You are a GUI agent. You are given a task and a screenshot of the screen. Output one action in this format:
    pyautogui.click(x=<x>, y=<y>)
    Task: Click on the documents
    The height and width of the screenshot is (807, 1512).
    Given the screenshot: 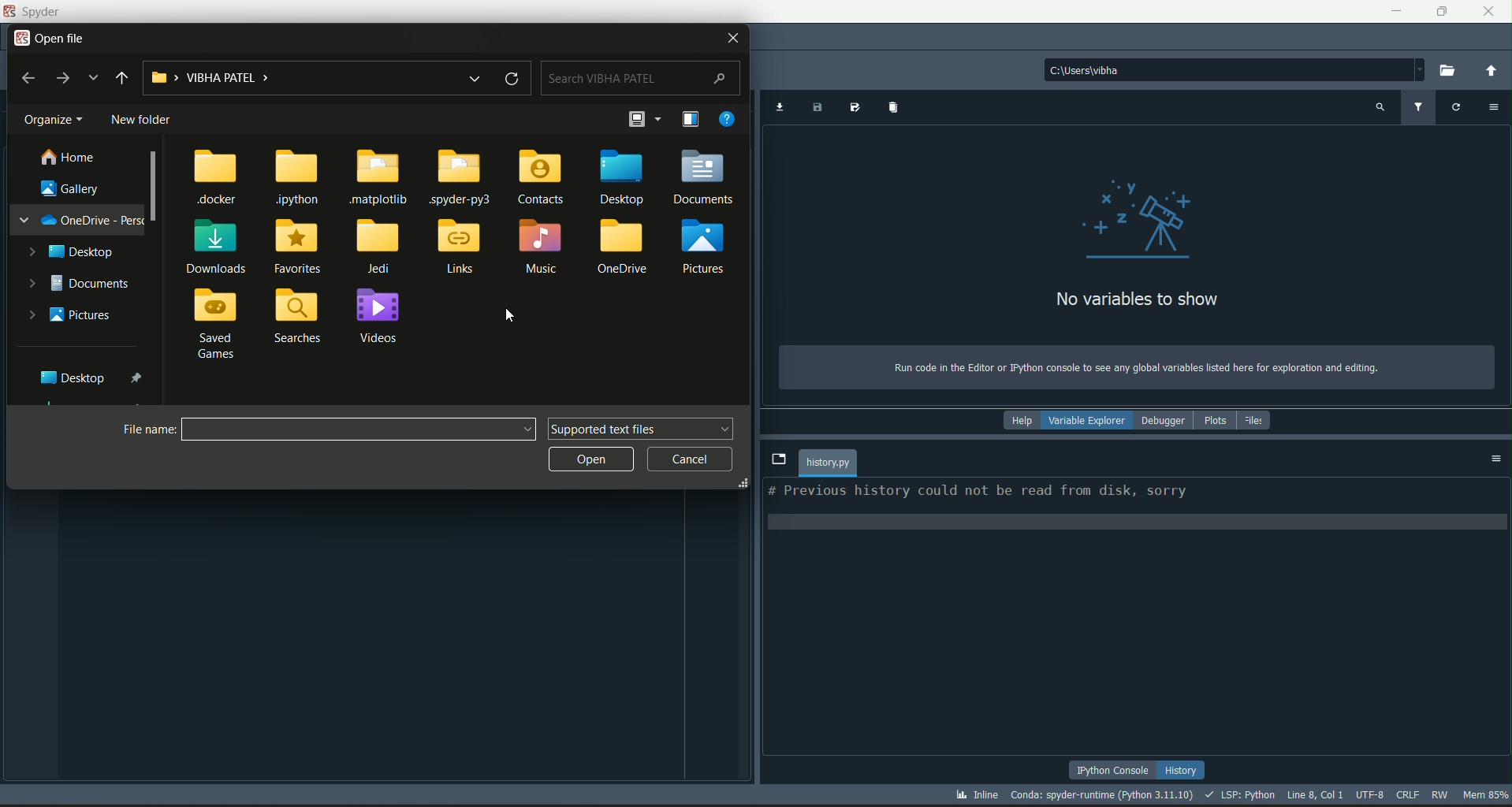 What is the action you would take?
    pyautogui.click(x=705, y=177)
    